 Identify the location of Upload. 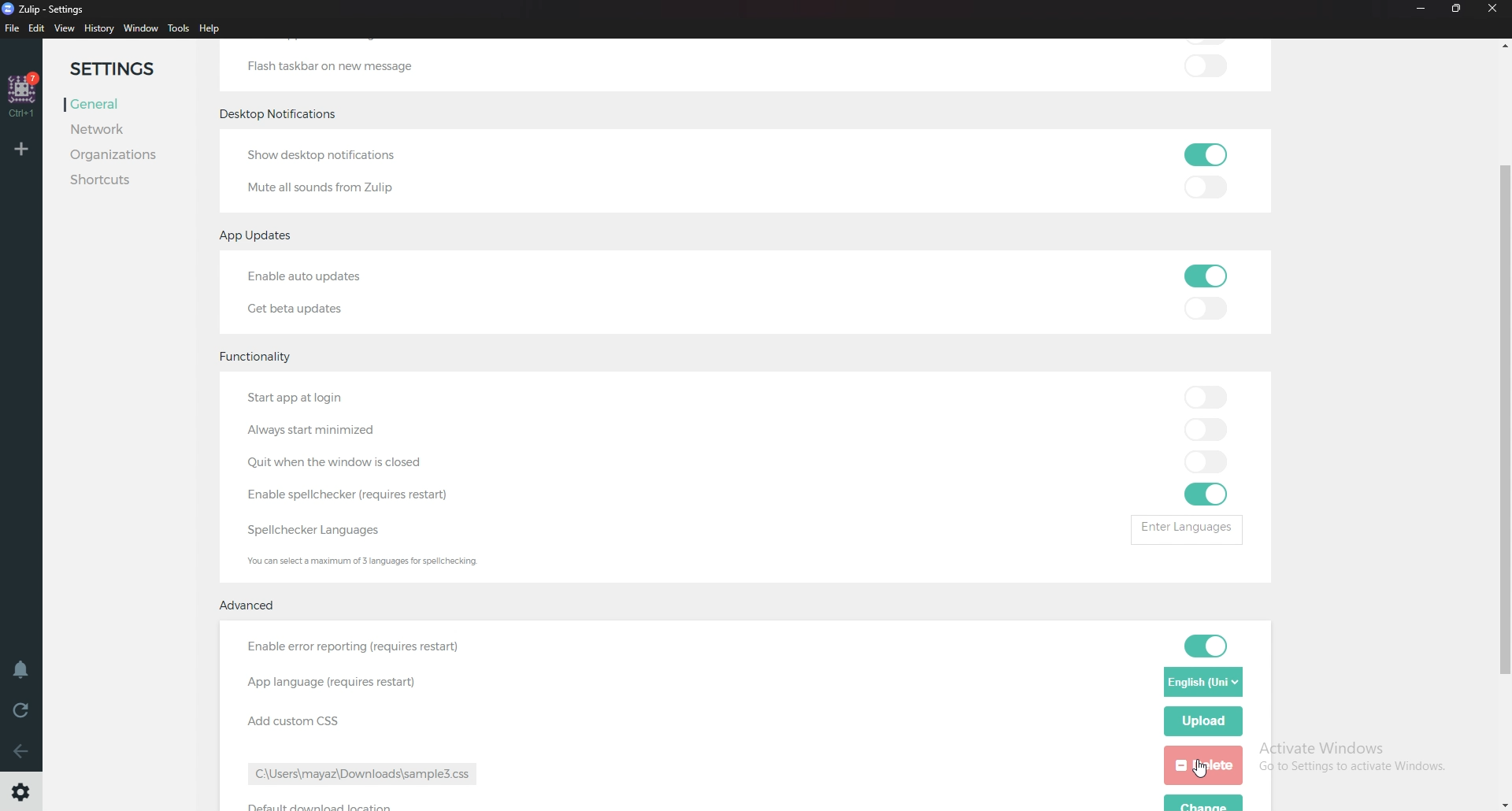
(1203, 722).